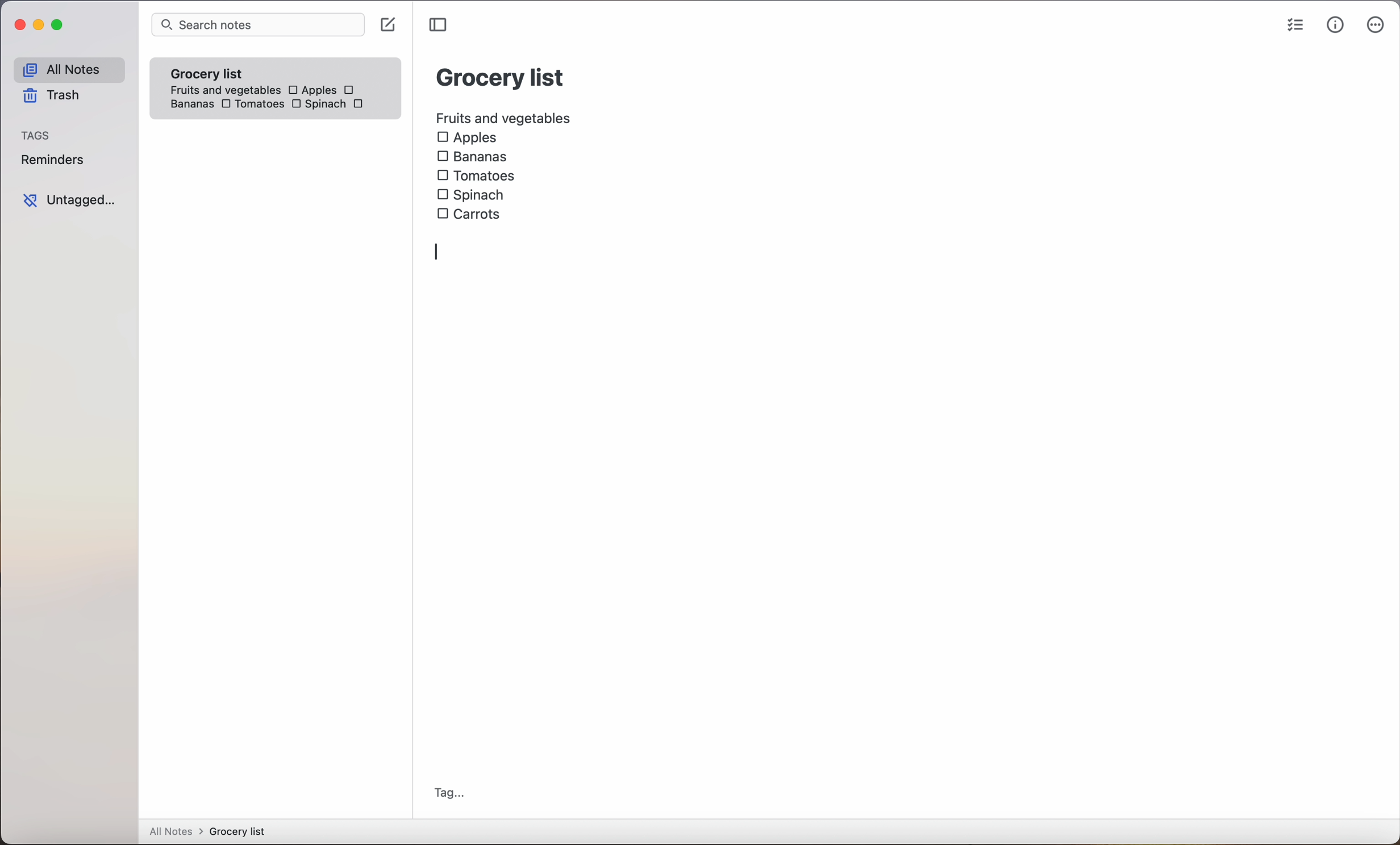  What do you see at coordinates (351, 90) in the screenshot?
I see `checkbox` at bounding box center [351, 90].